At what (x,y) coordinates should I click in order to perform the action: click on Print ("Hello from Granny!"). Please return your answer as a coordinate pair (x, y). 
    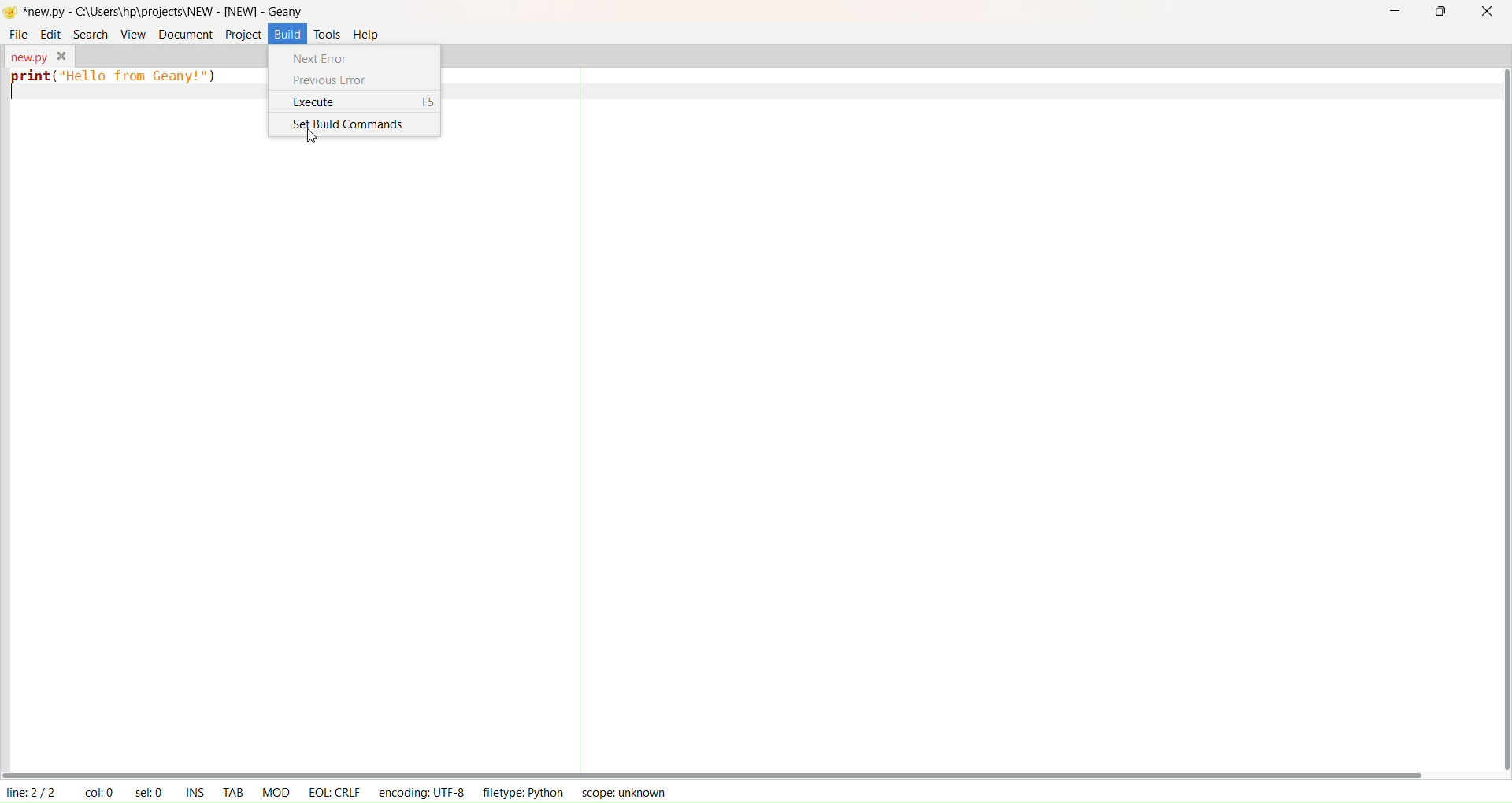
    Looking at the image, I should click on (117, 80).